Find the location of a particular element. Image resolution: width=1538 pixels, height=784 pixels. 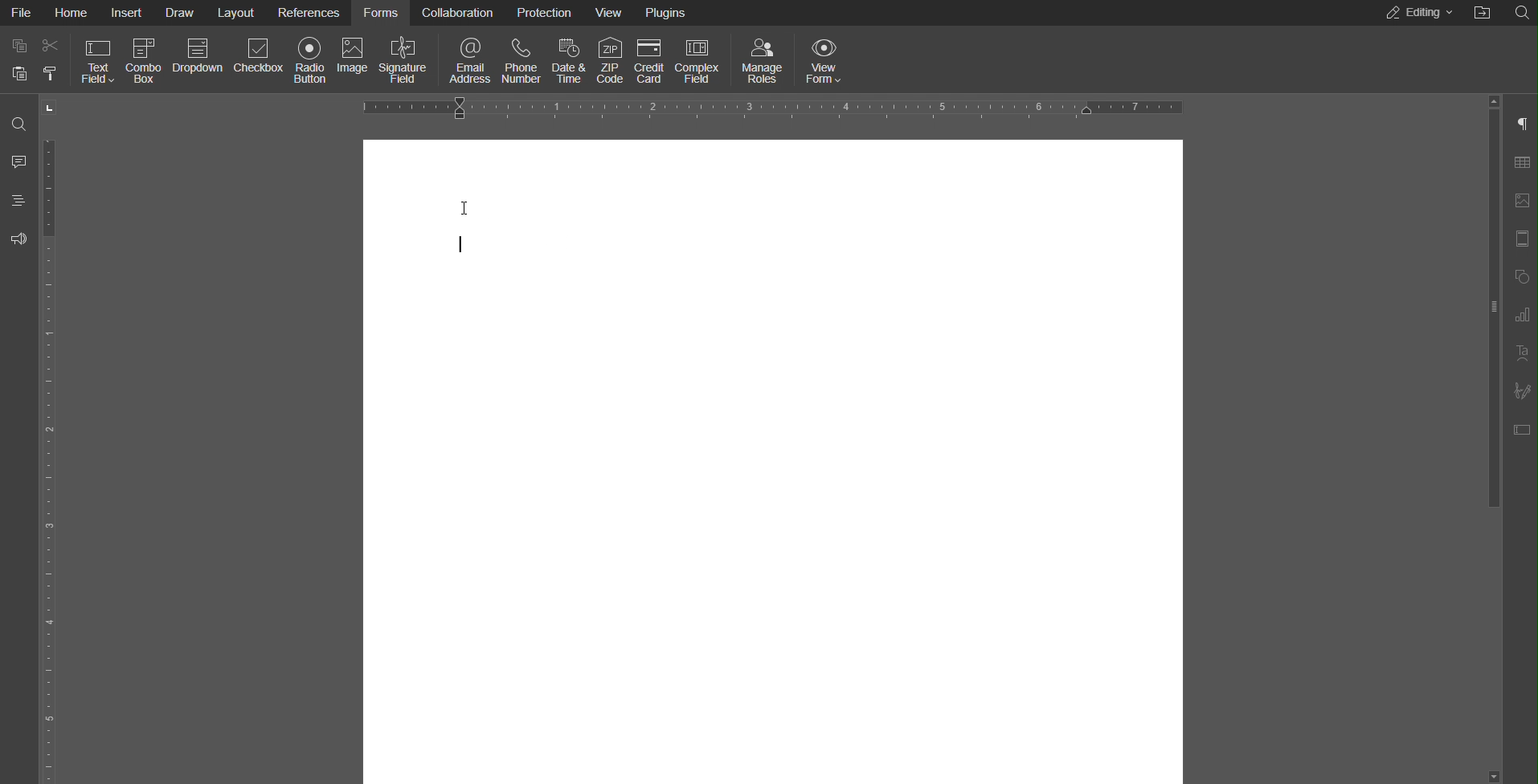

Signature is located at coordinates (1520, 390).